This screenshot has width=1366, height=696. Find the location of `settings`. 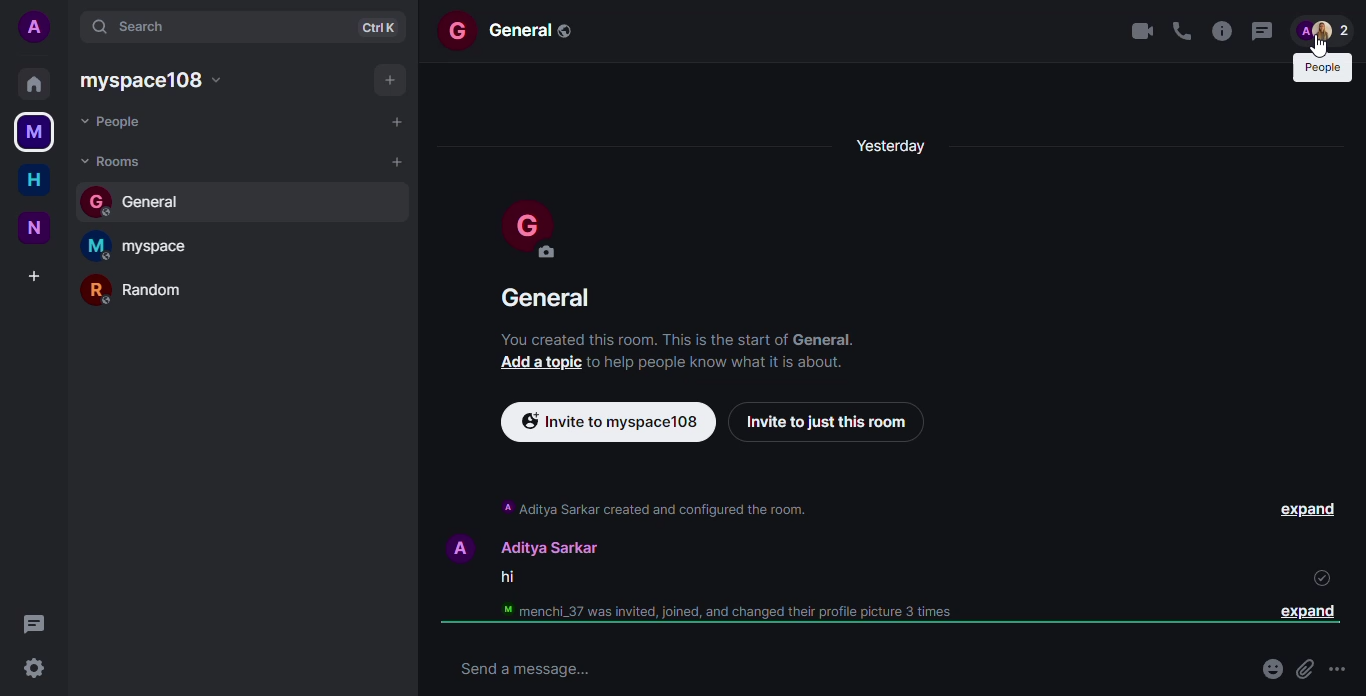

settings is located at coordinates (35, 669).